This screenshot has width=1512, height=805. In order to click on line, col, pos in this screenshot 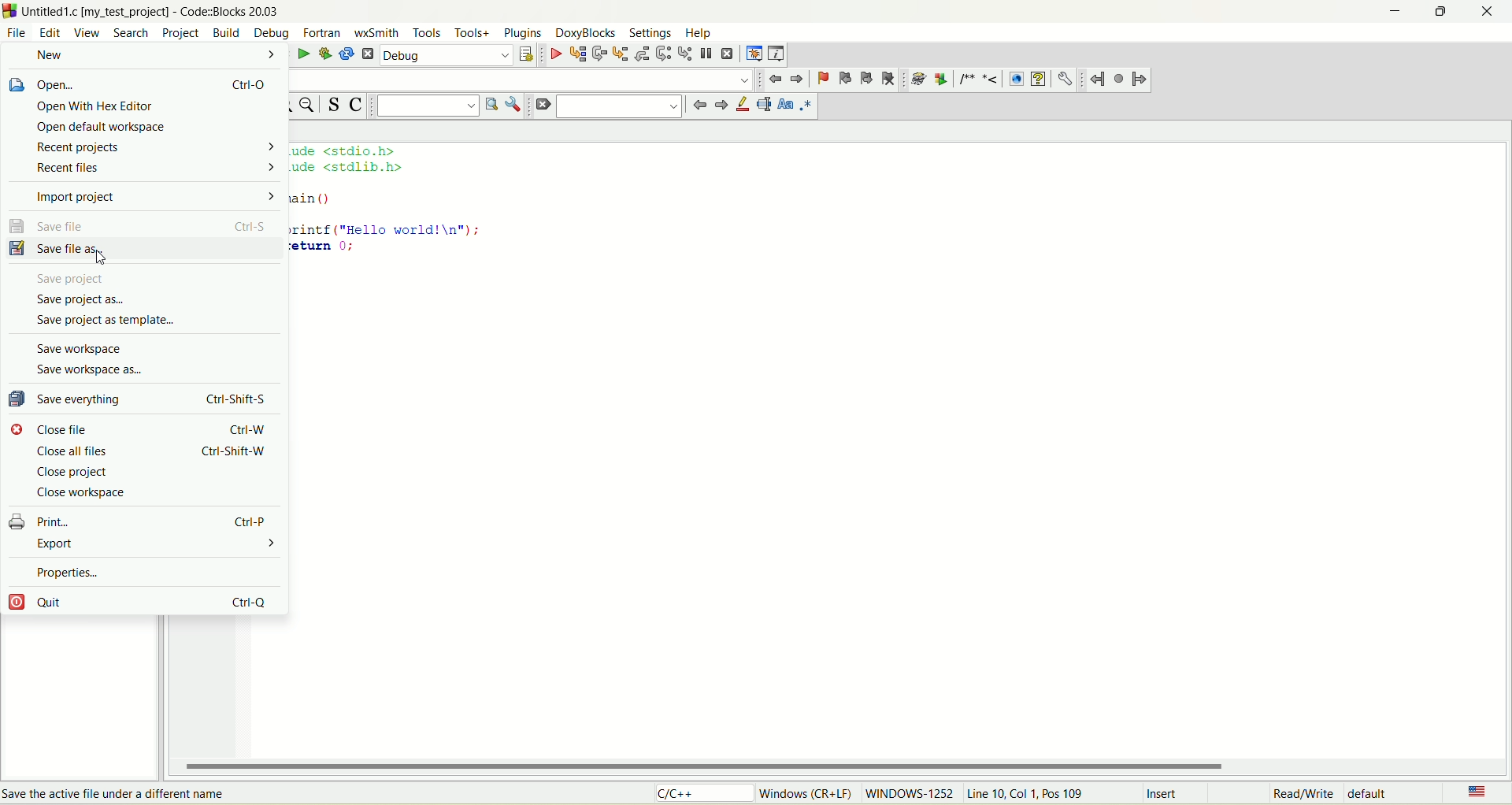, I will do `click(1027, 794)`.